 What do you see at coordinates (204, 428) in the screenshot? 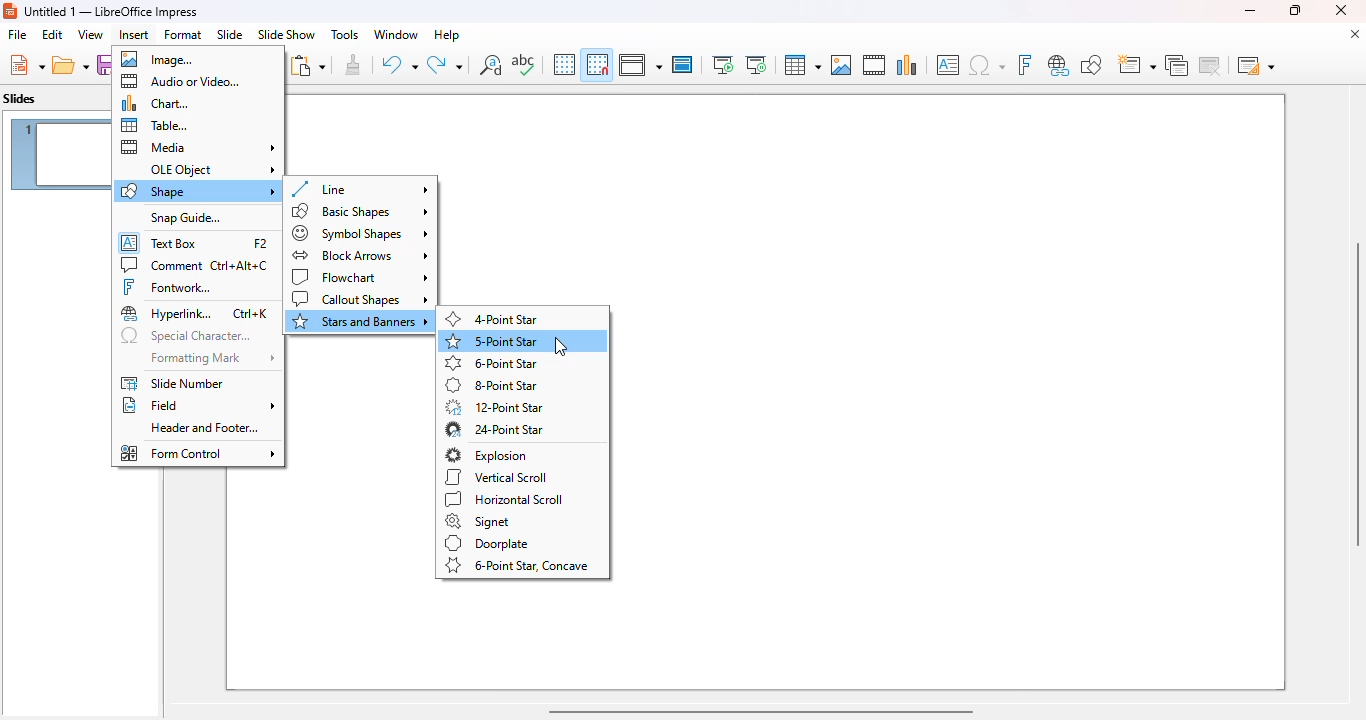
I see `header and footer` at bounding box center [204, 428].